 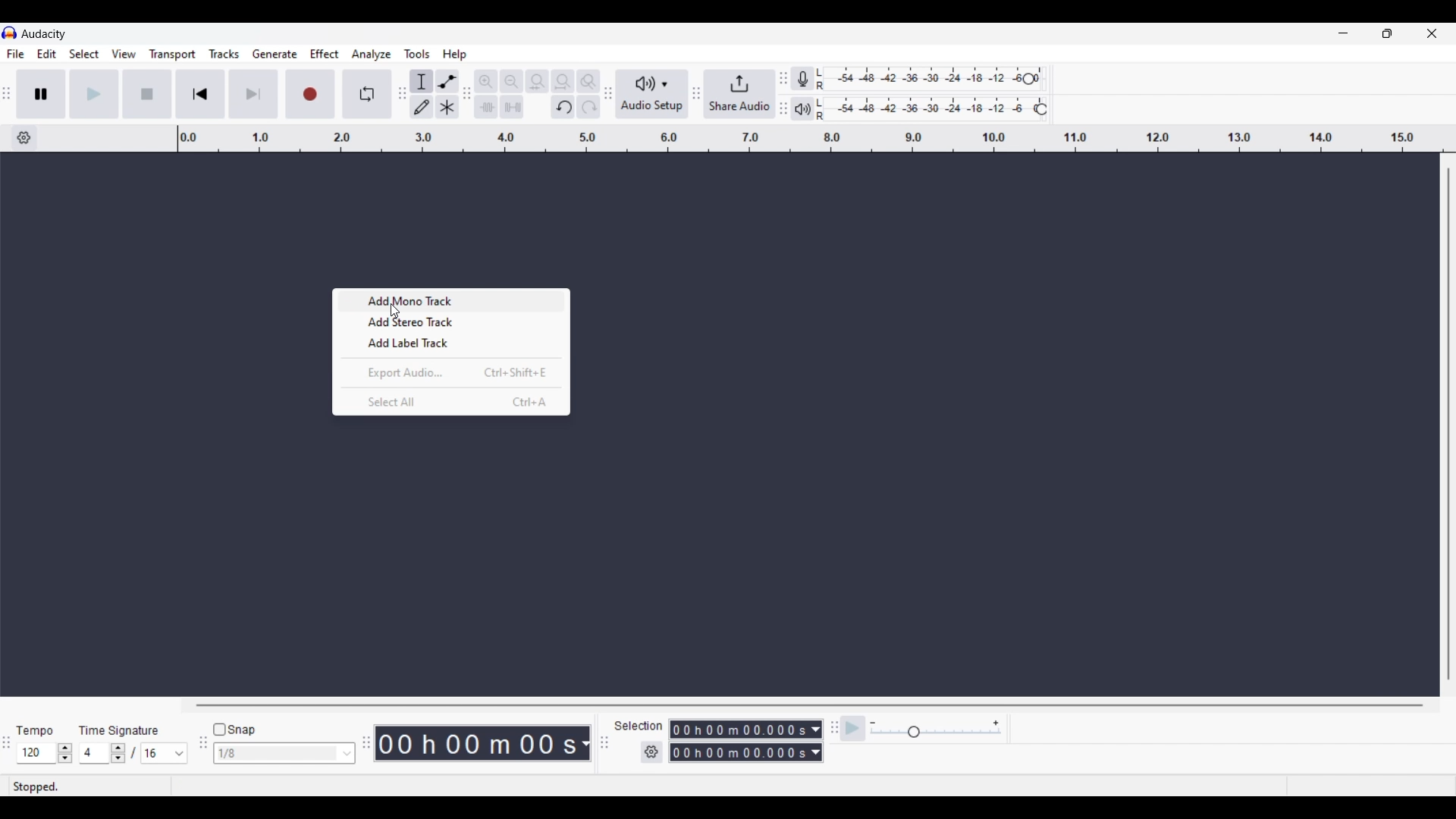 I want to click on Increase playback speed to maximum , so click(x=996, y=723).